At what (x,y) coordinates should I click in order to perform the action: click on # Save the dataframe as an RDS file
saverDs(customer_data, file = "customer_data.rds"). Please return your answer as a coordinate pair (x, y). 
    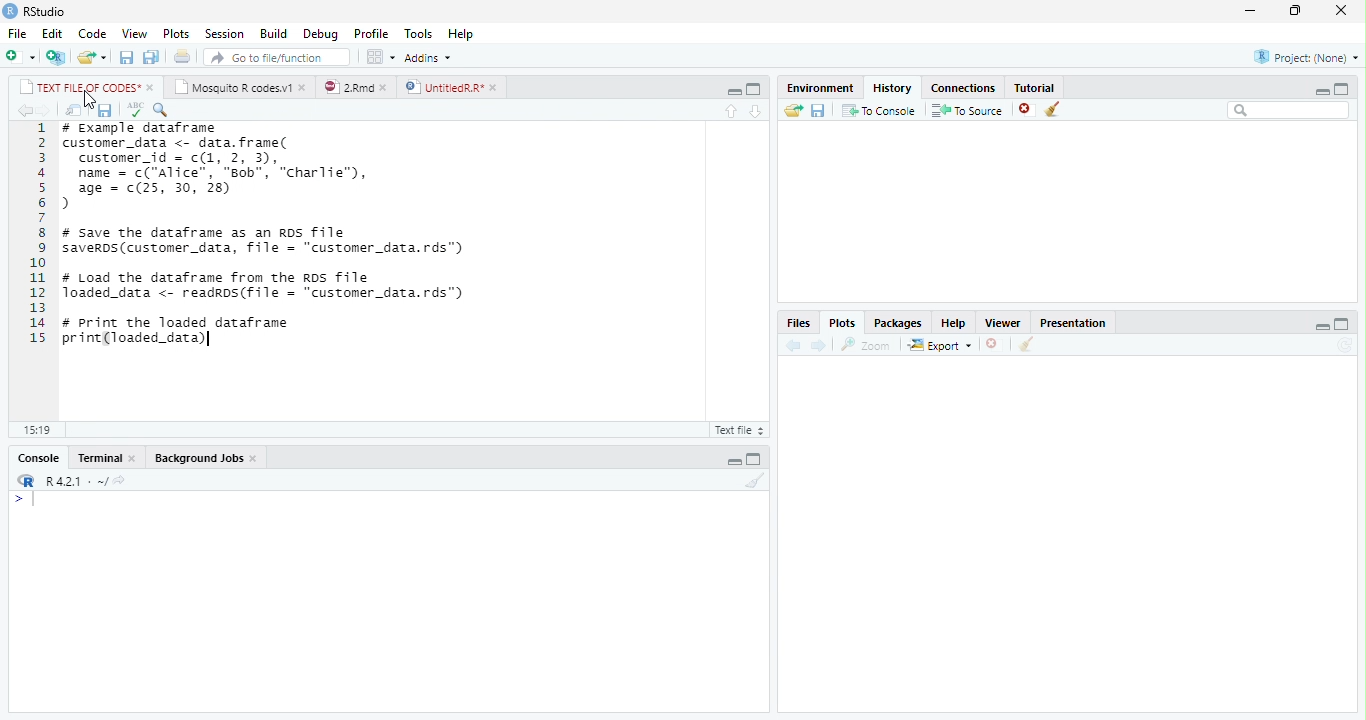
    Looking at the image, I should click on (268, 242).